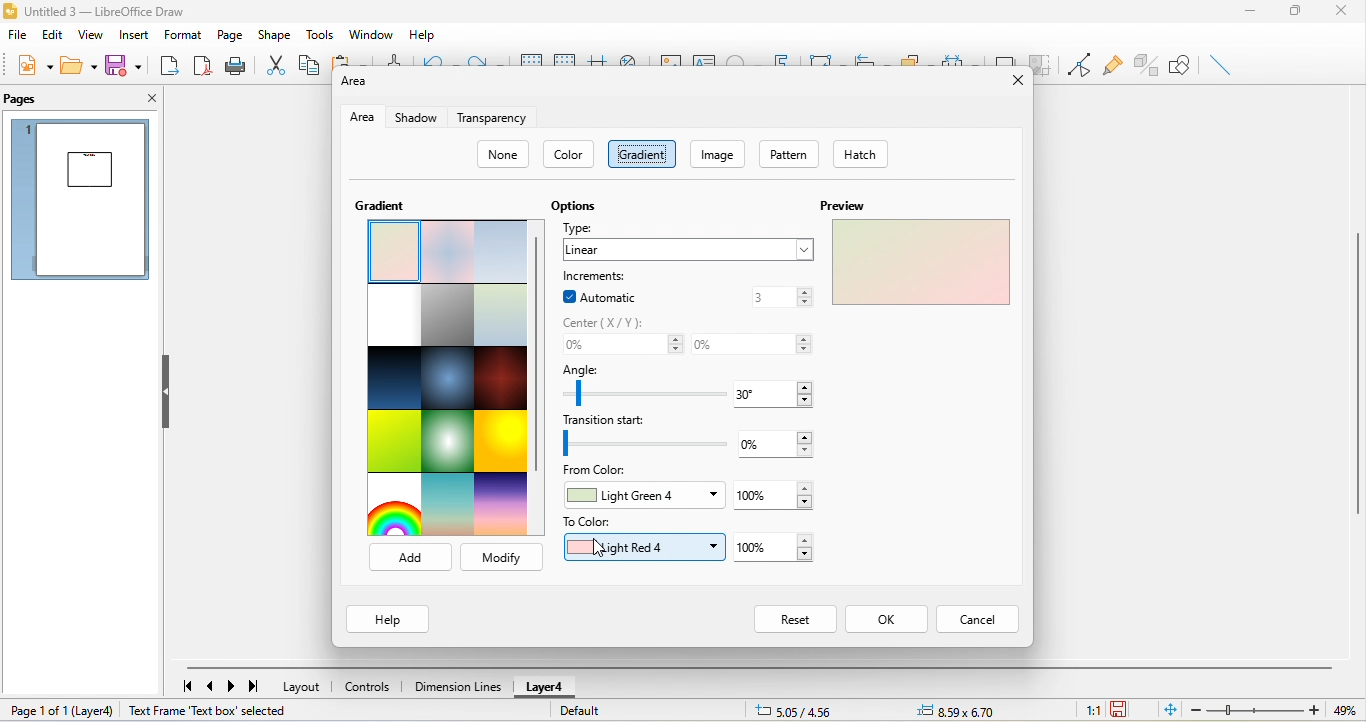  What do you see at coordinates (132, 36) in the screenshot?
I see `insert` at bounding box center [132, 36].